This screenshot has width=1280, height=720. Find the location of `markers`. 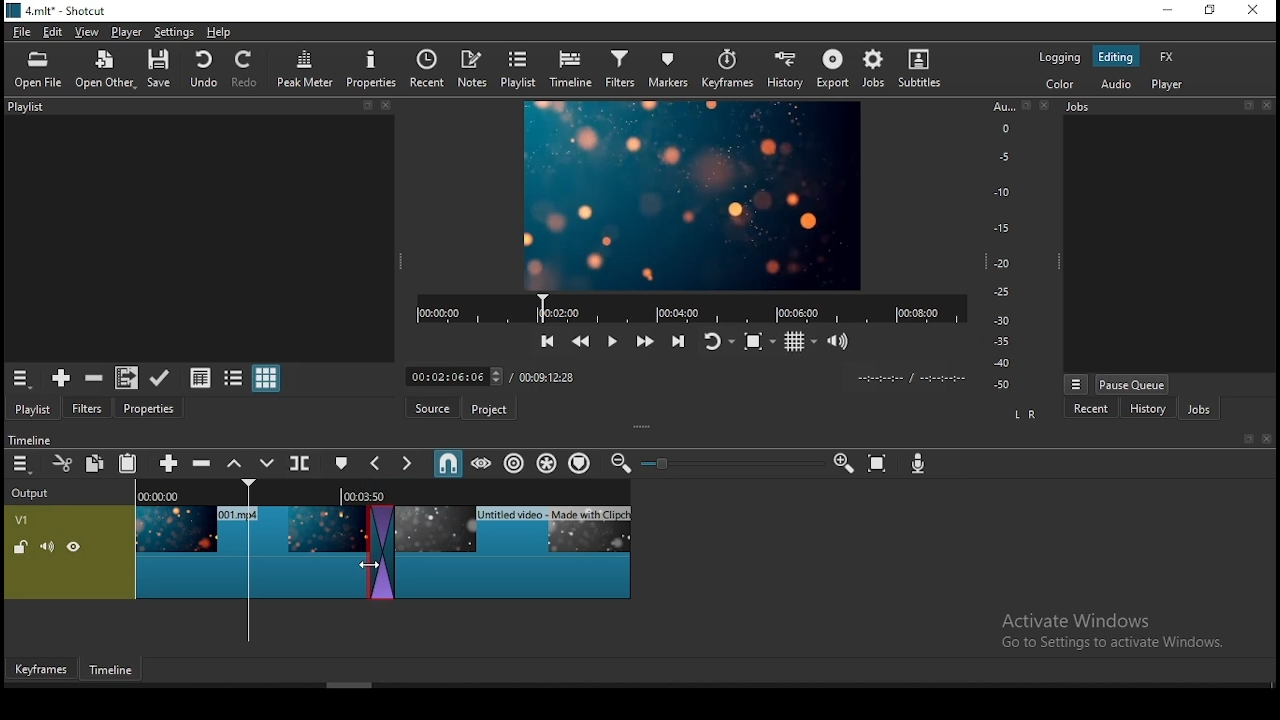

markers is located at coordinates (674, 68).